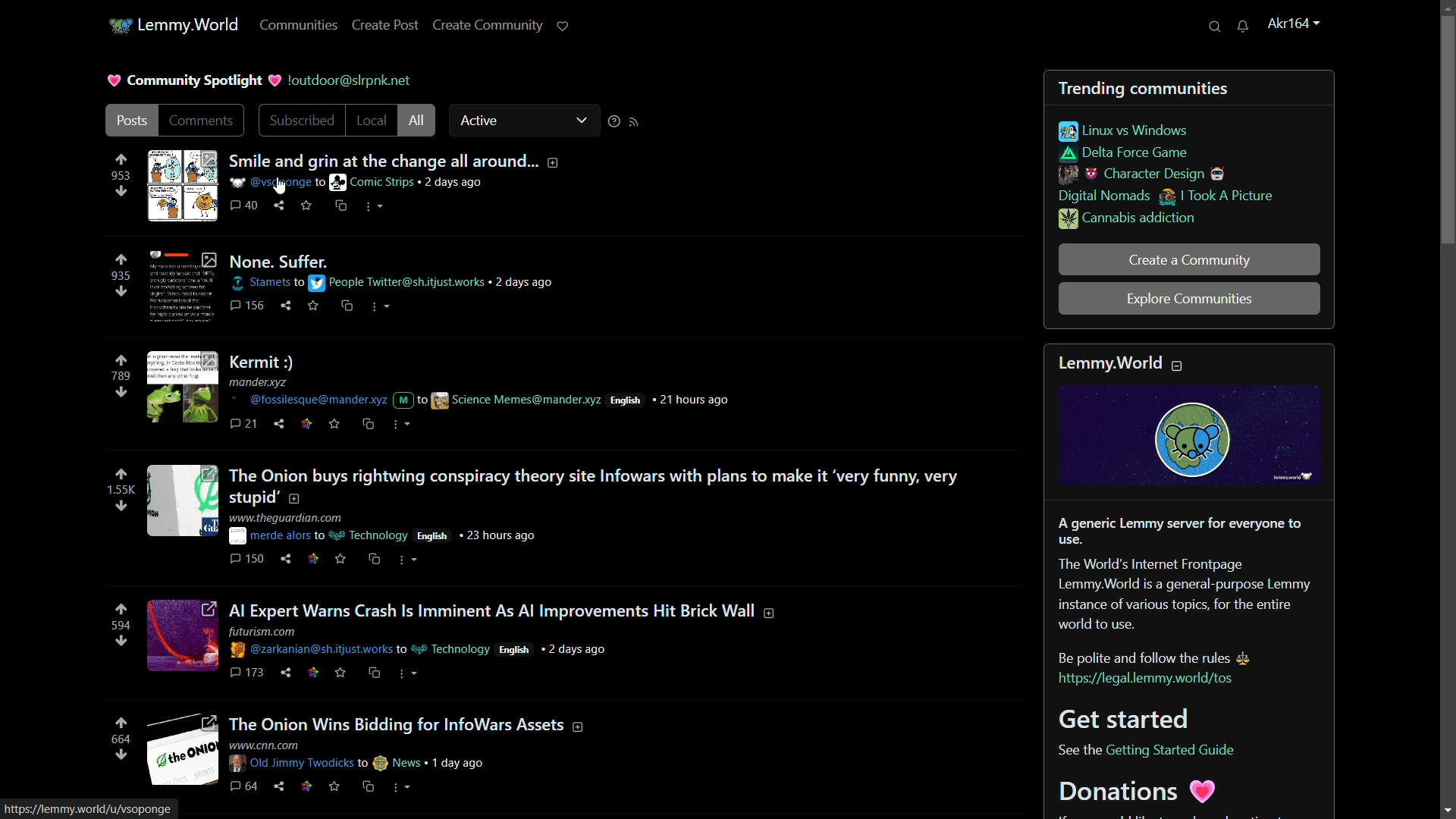  What do you see at coordinates (363, 758) in the screenshot?
I see `posts details` at bounding box center [363, 758].